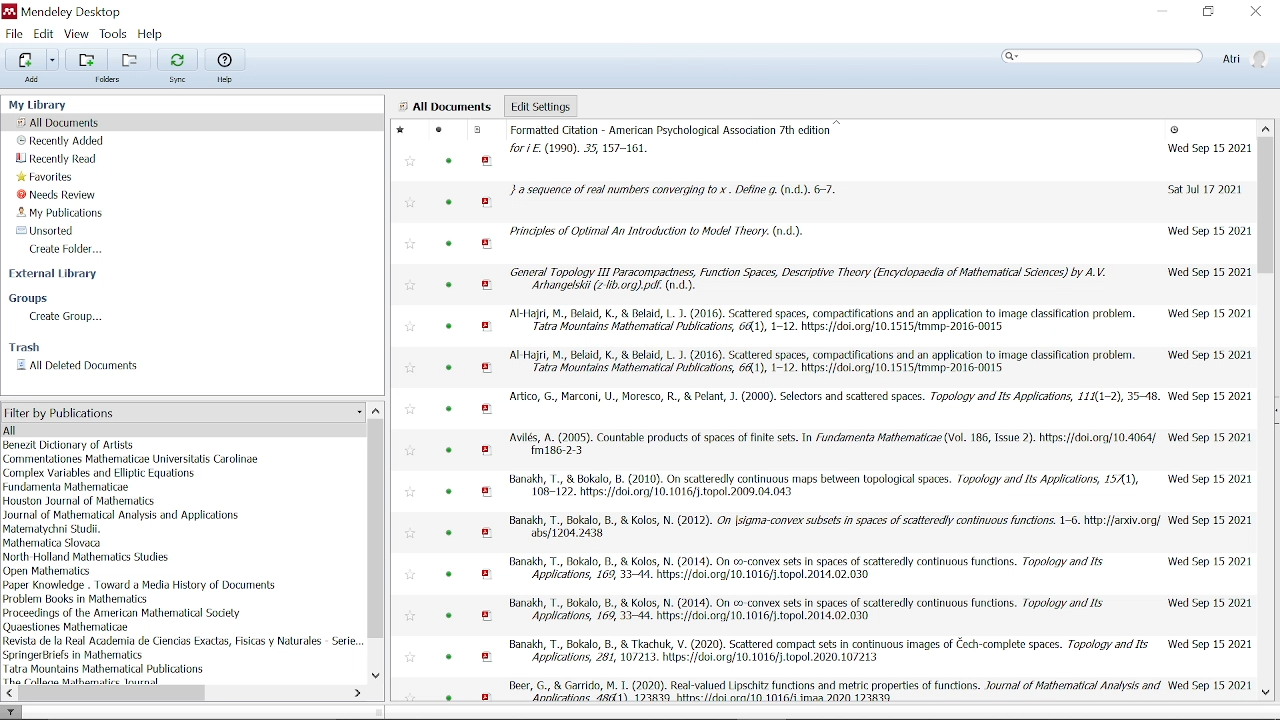 The image size is (1280, 720). What do you see at coordinates (78, 599) in the screenshot?
I see `author` at bounding box center [78, 599].